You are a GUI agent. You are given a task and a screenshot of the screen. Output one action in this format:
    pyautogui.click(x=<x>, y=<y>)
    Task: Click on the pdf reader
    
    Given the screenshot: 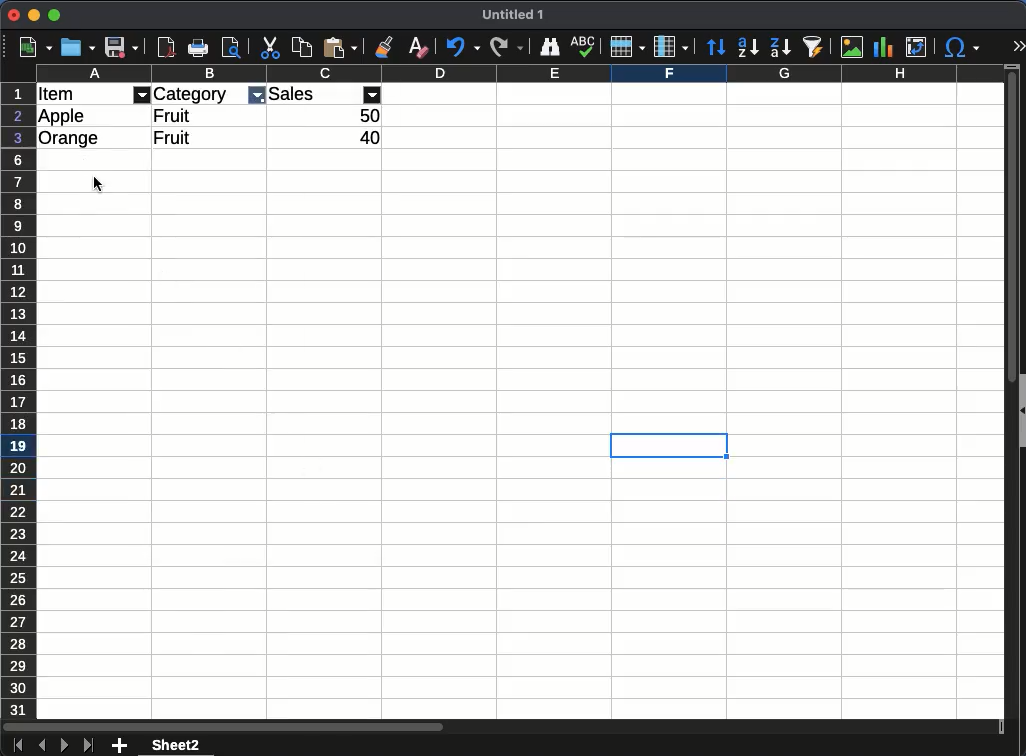 What is the action you would take?
    pyautogui.click(x=166, y=48)
    